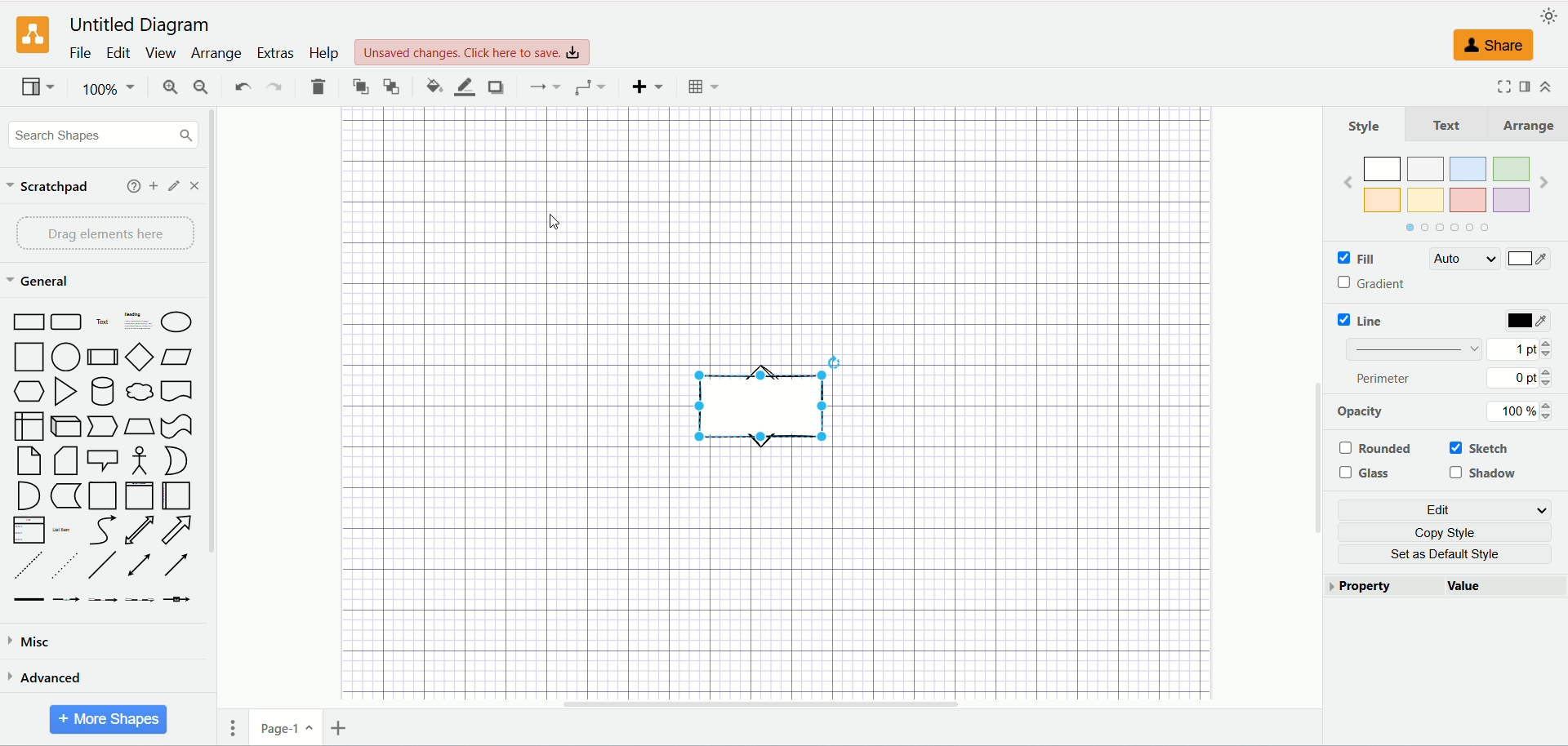 Image resolution: width=1568 pixels, height=746 pixels. I want to click on Connector with symbol, so click(176, 602).